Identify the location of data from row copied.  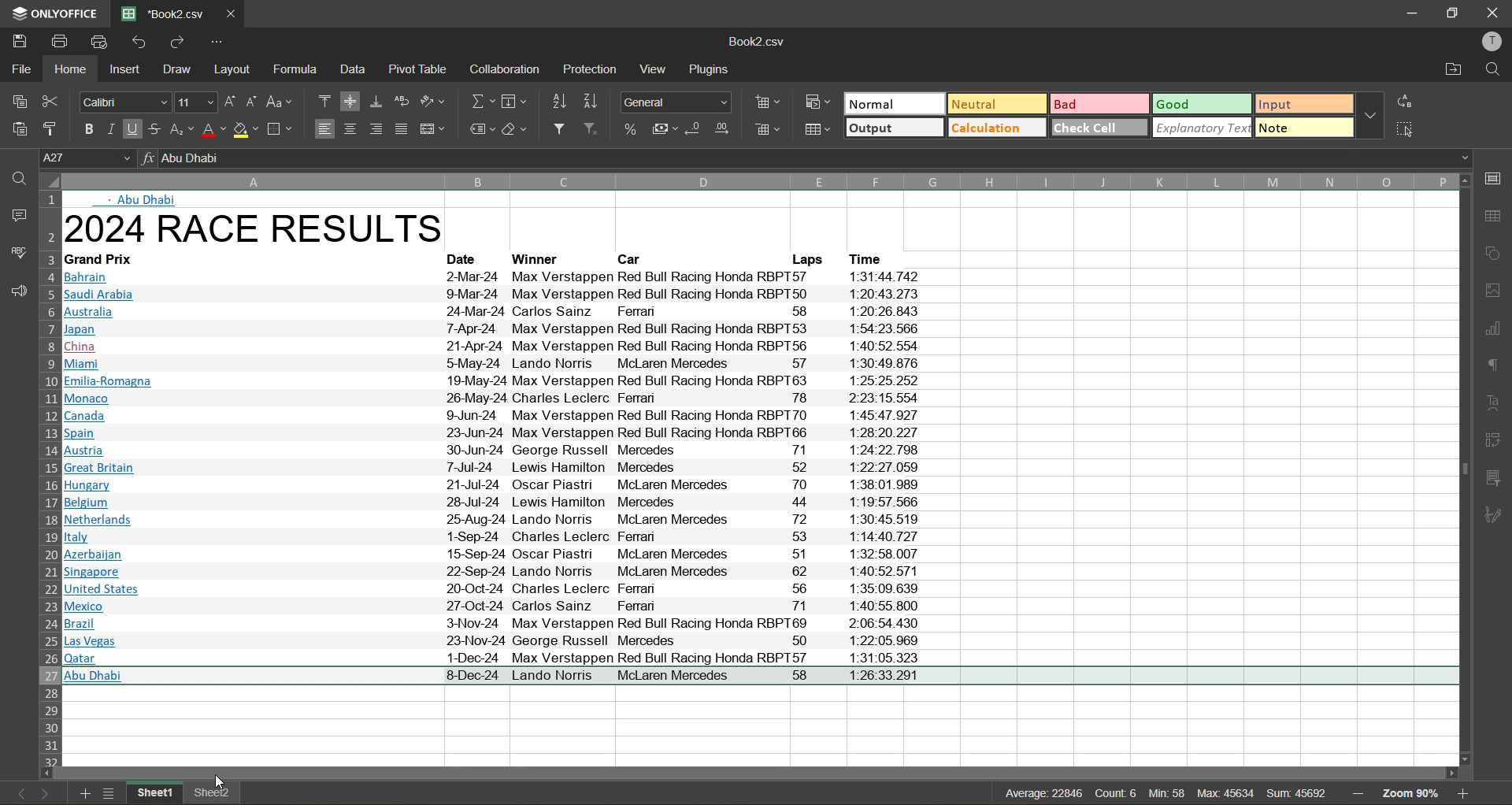
(762, 677).